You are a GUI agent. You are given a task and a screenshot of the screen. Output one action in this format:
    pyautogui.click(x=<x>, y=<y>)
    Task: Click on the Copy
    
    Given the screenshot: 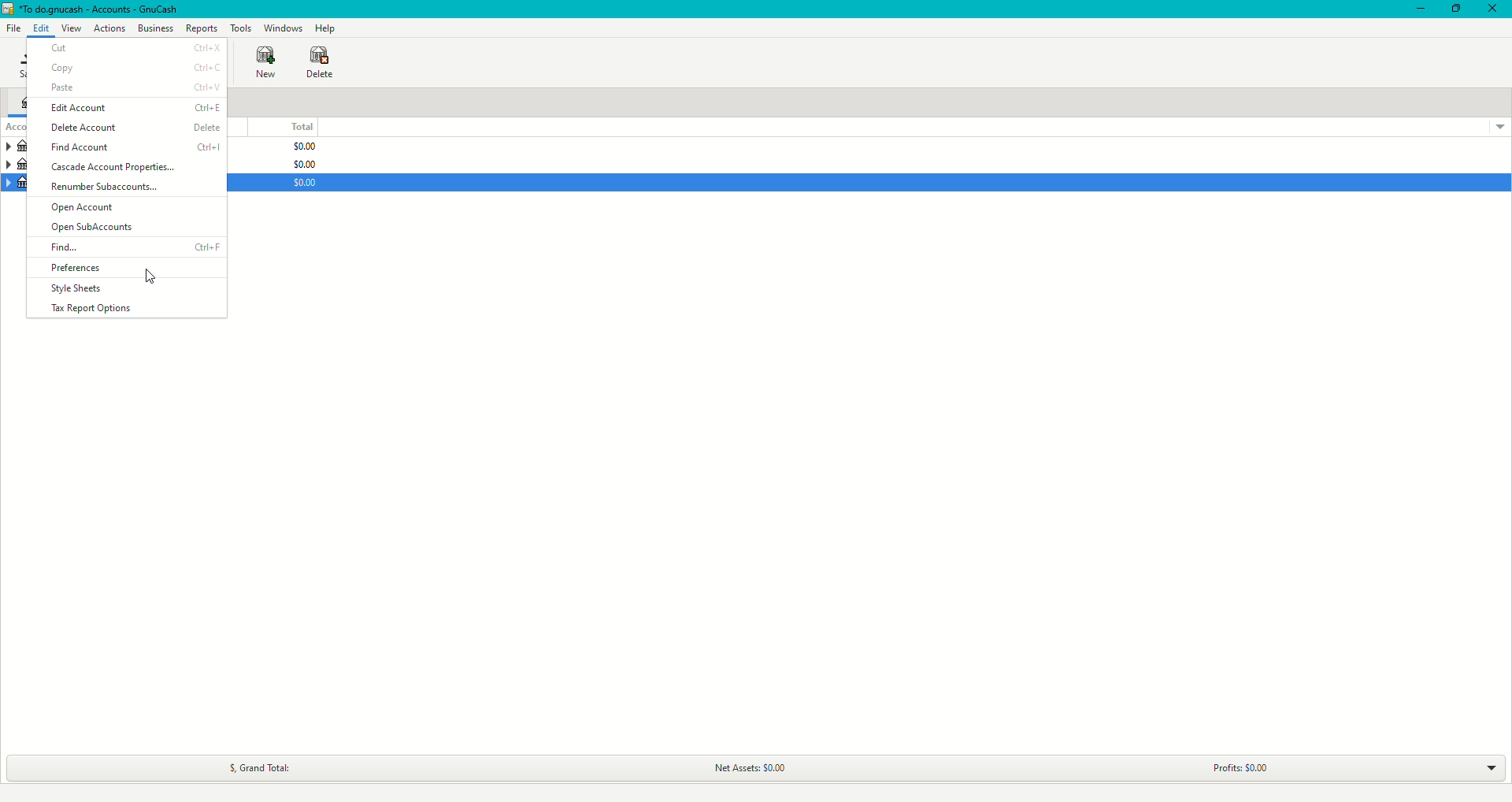 What is the action you would take?
    pyautogui.click(x=135, y=68)
    